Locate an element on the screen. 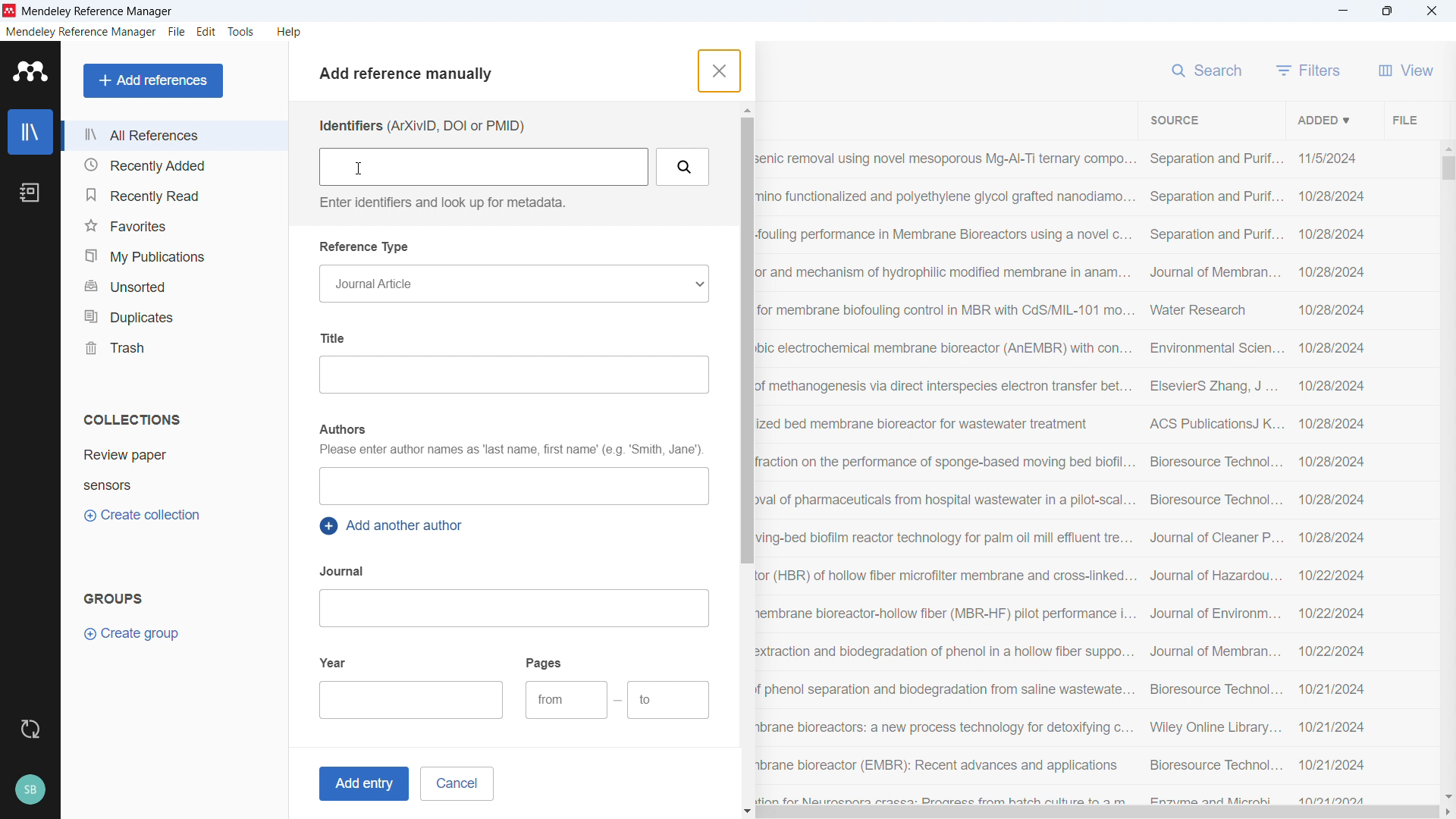 Image resolution: width=1456 pixels, height=819 pixels. Title is located at coordinates (336, 337).